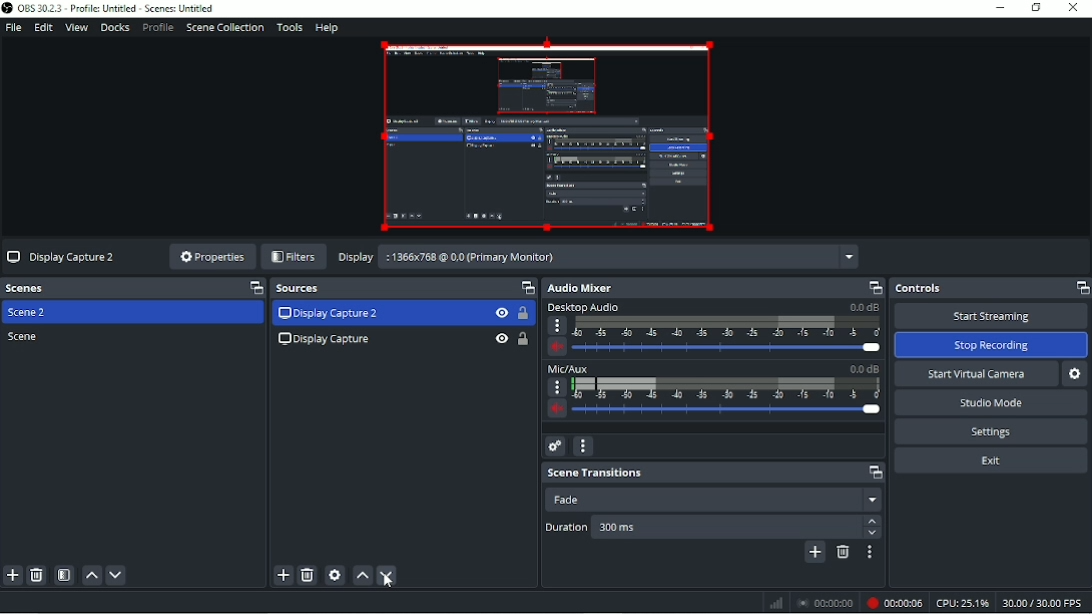  What do you see at coordinates (990, 432) in the screenshot?
I see `Settings` at bounding box center [990, 432].